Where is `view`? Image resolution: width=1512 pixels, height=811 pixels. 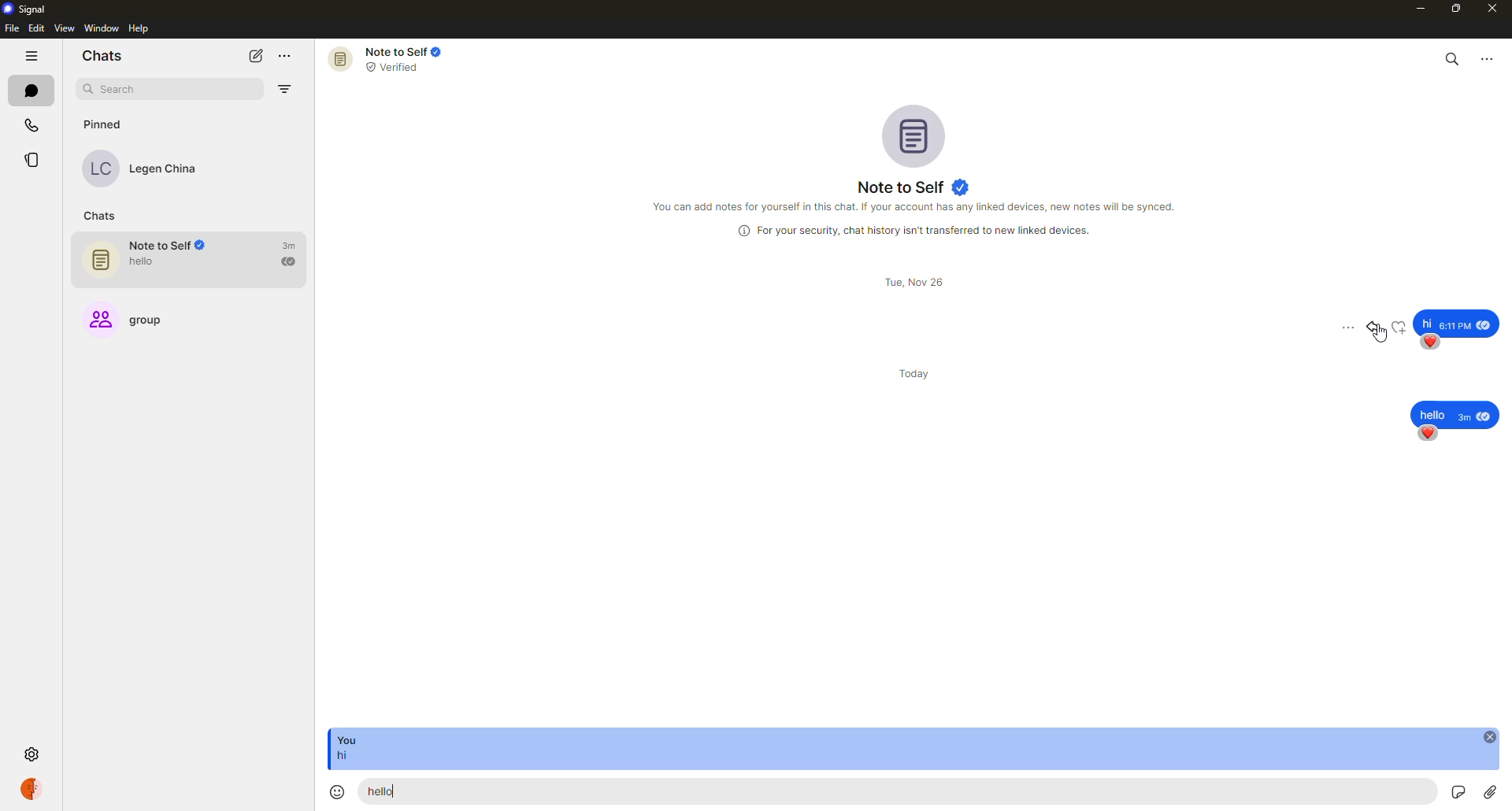
view is located at coordinates (62, 28).